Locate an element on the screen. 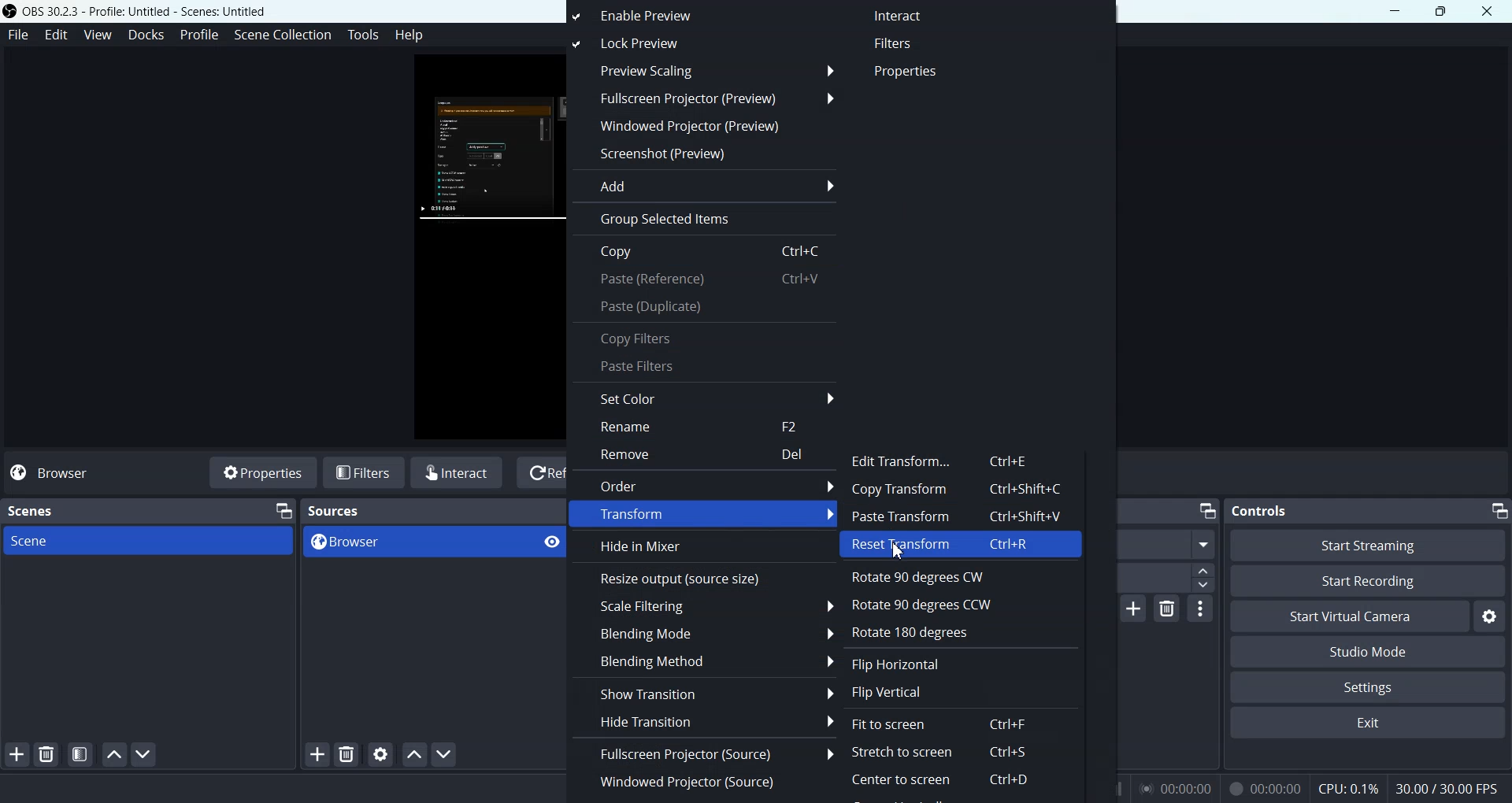 The image size is (1512, 803). Fullscreen Projector (preview) is located at coordinates (702, 98).